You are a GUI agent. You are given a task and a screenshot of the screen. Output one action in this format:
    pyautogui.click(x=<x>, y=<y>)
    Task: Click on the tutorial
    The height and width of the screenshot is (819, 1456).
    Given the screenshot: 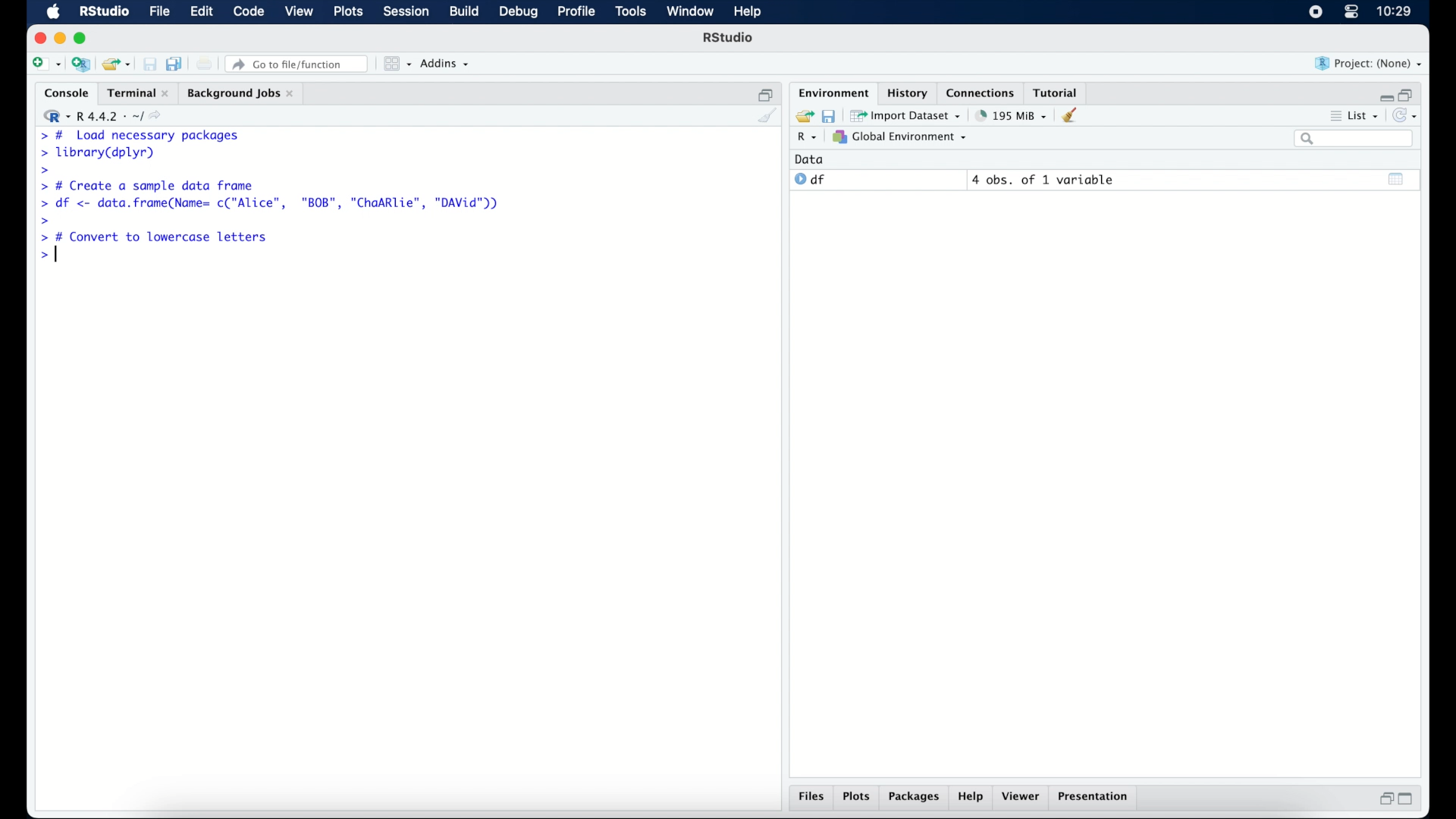 What is the action you would take?
    pyautogui.click(x=1059, y=92)
    